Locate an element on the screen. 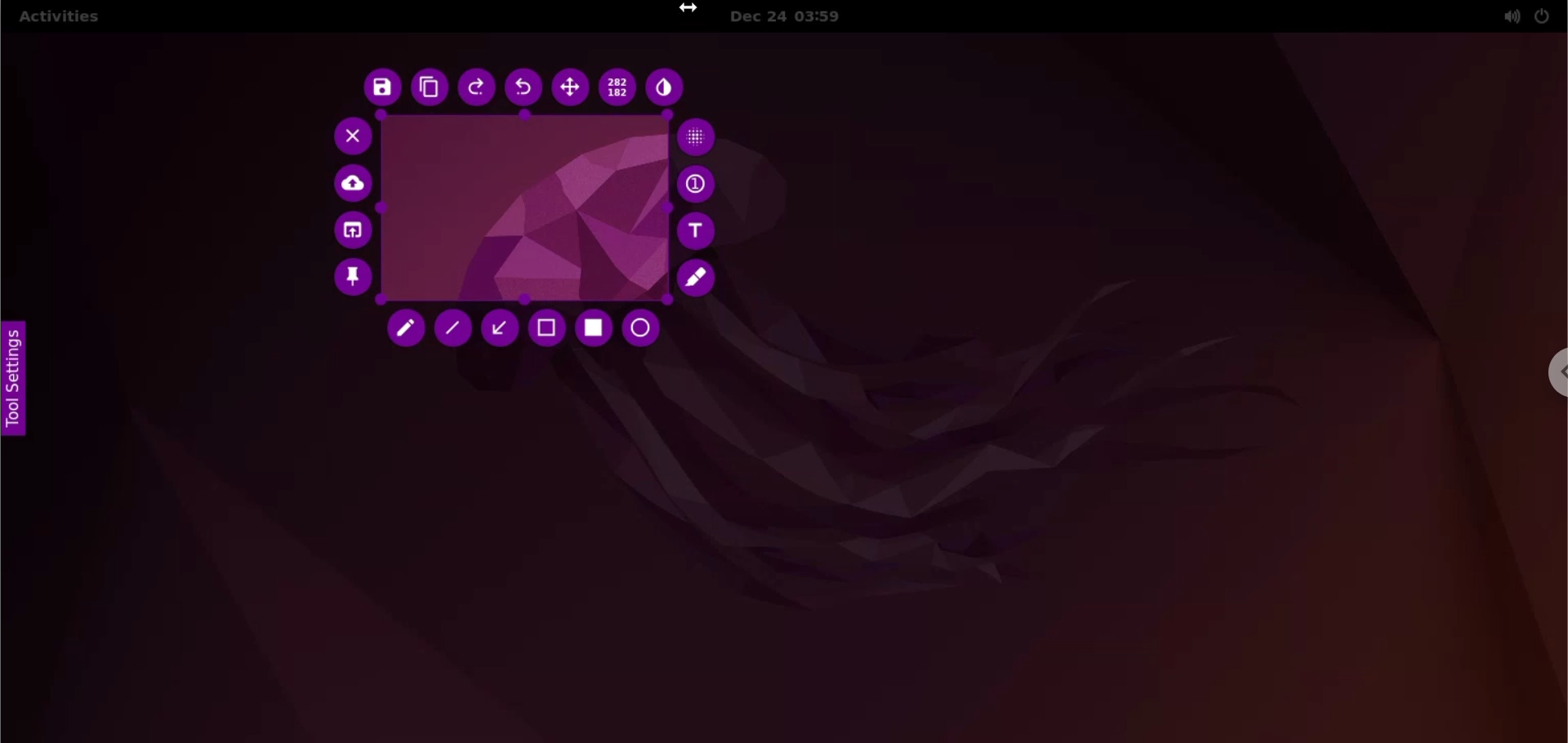 The width and height of the screenshot is (1568, 743). marker is located at coordinates (706, 281).